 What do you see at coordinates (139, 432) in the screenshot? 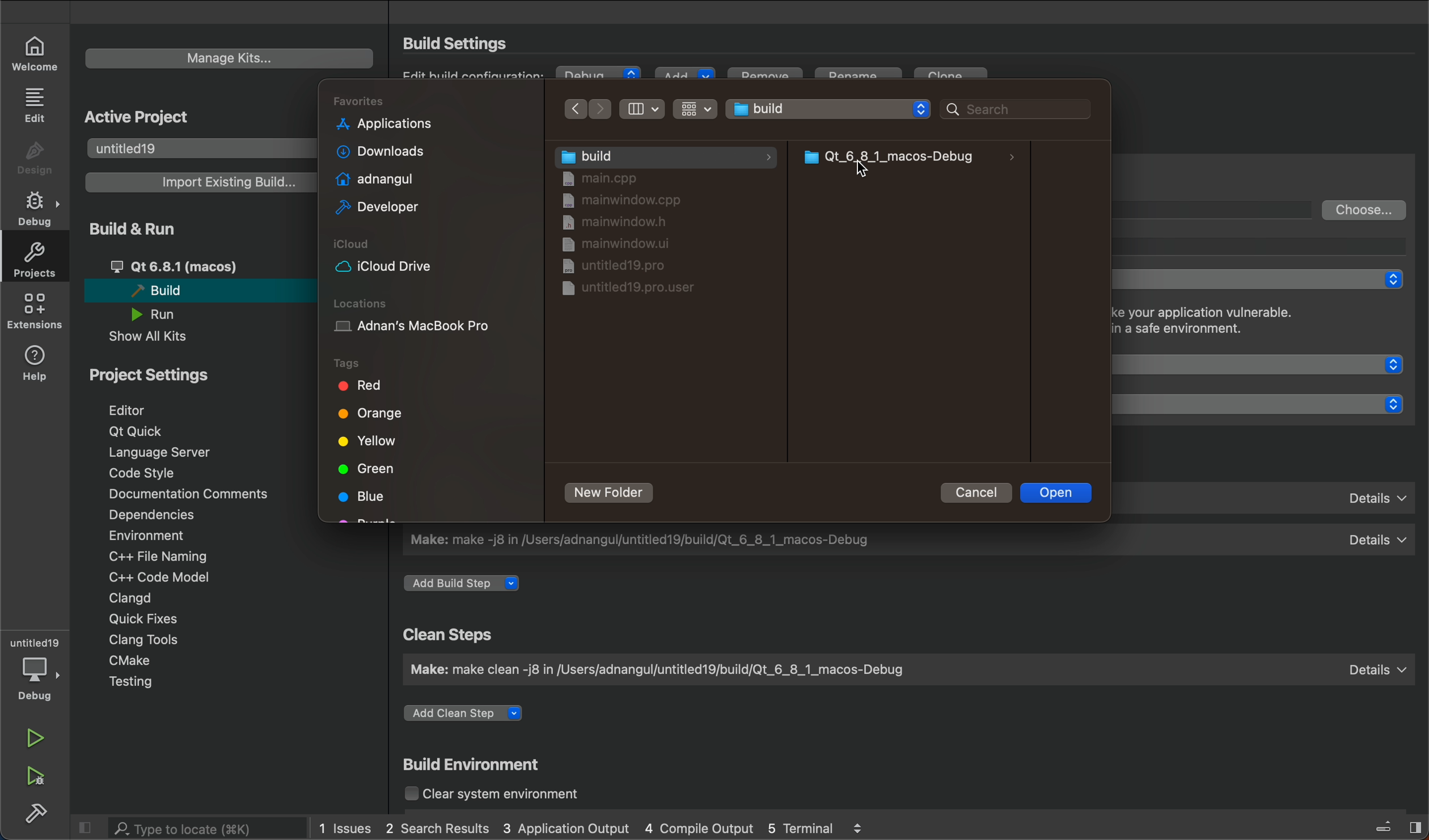
I see `qt quick` at bounding box center [139, 432].